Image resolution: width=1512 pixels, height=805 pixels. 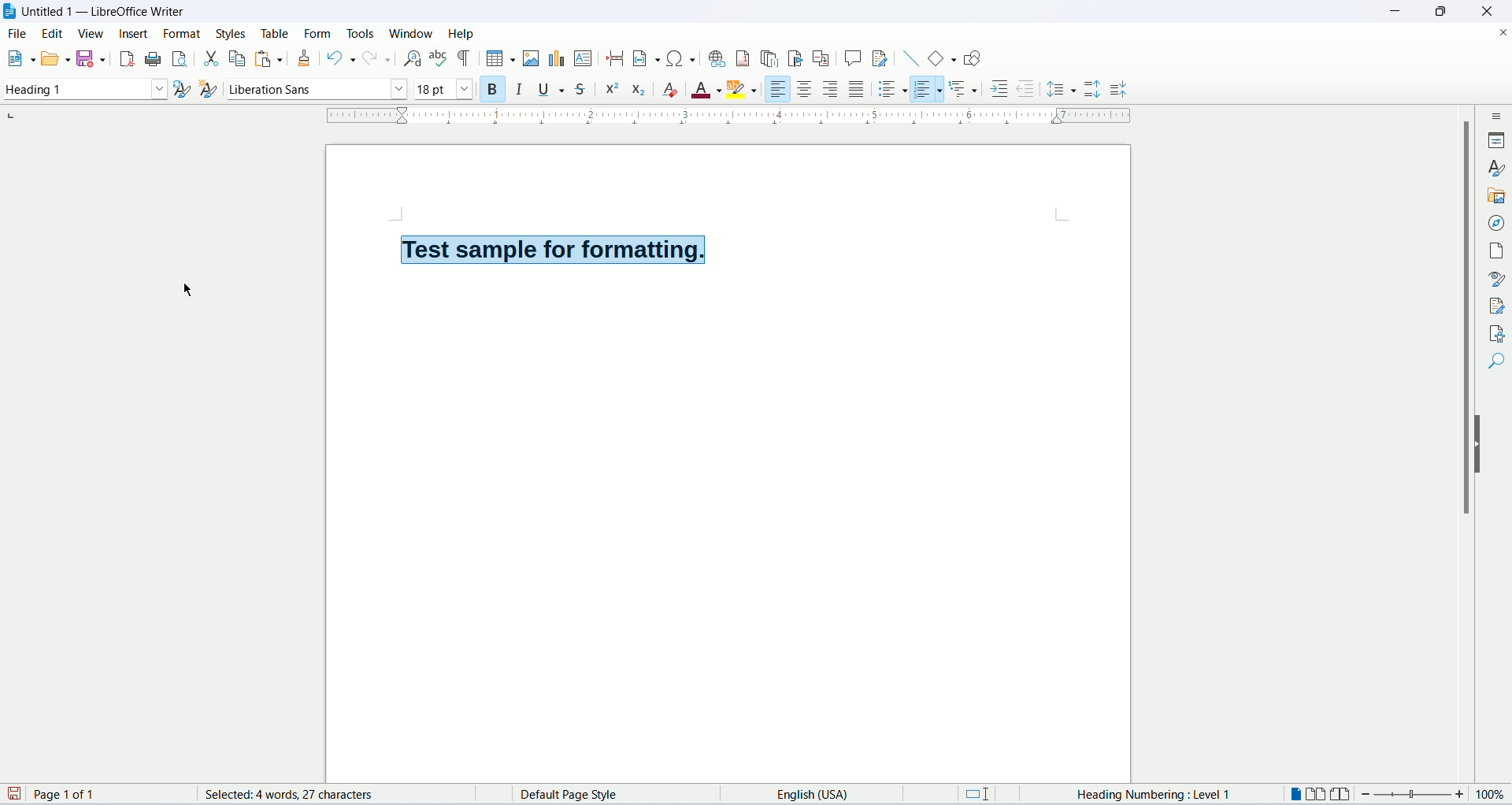 I want to click on default page style, so click(x=583, y=795).